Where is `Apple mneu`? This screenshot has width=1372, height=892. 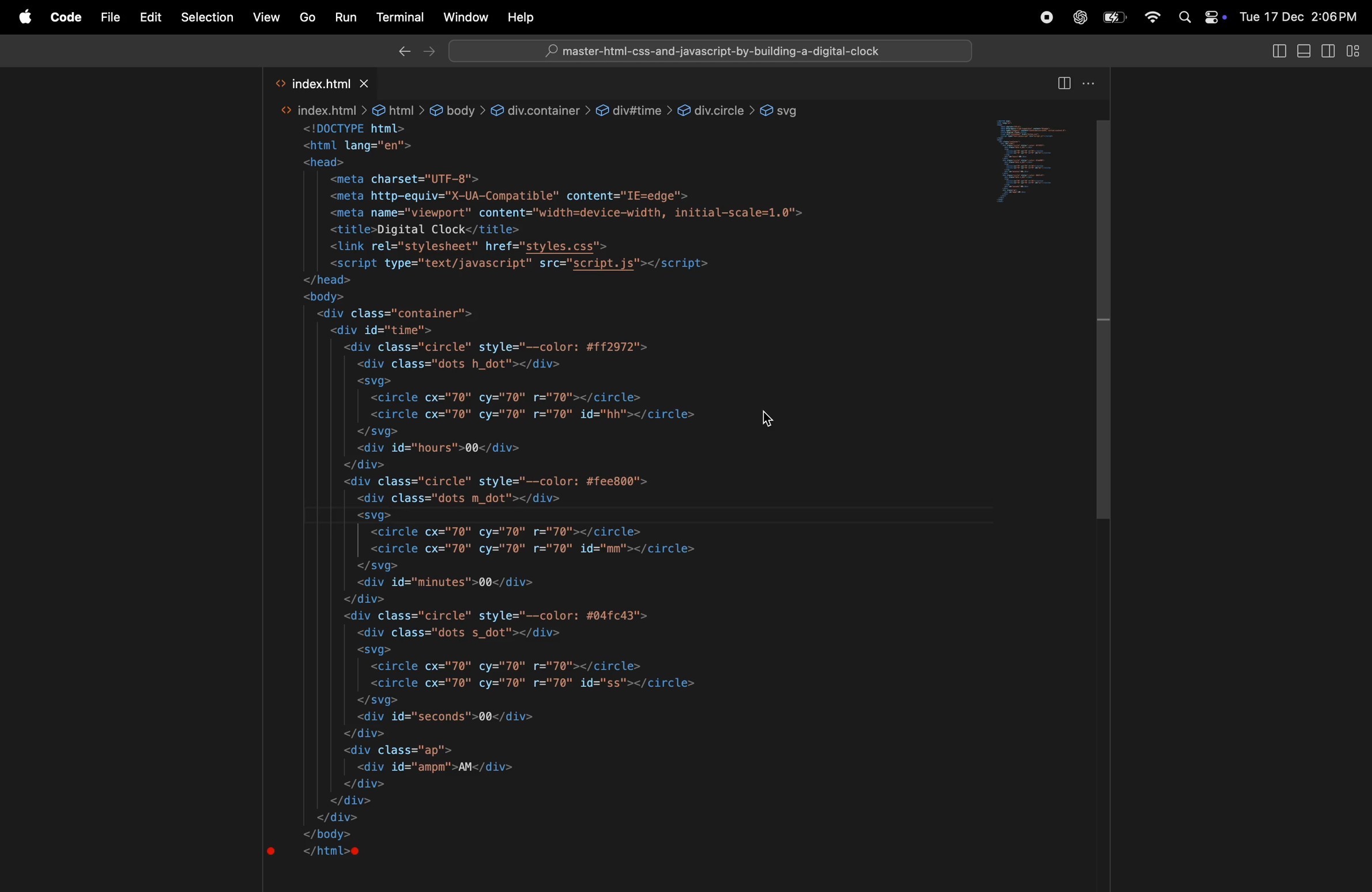 Apple mneu is located at coordinates (22, 17).